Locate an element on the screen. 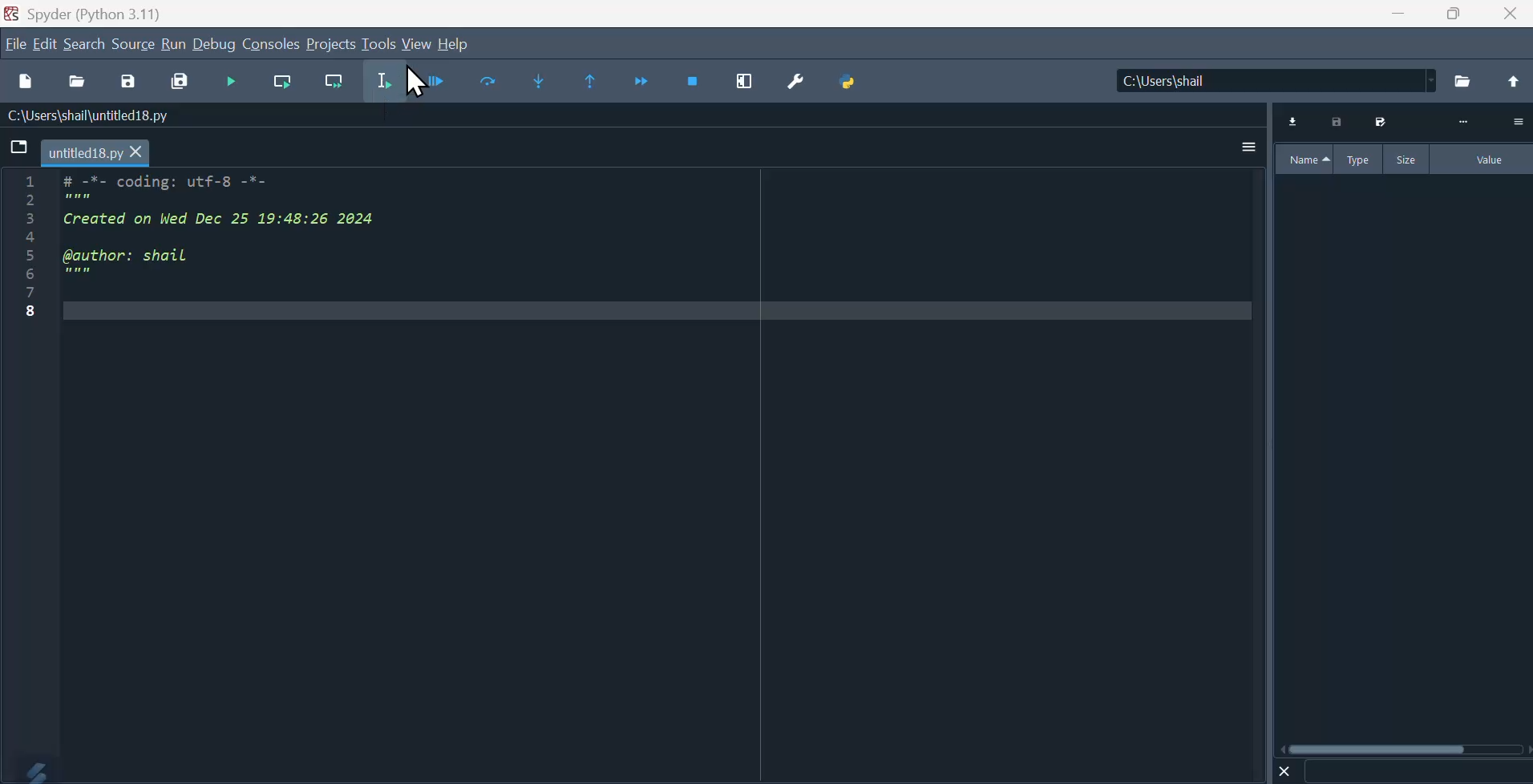 The width and height of the screenshot is (1533, 784). View is located at coordinates (418, 45).